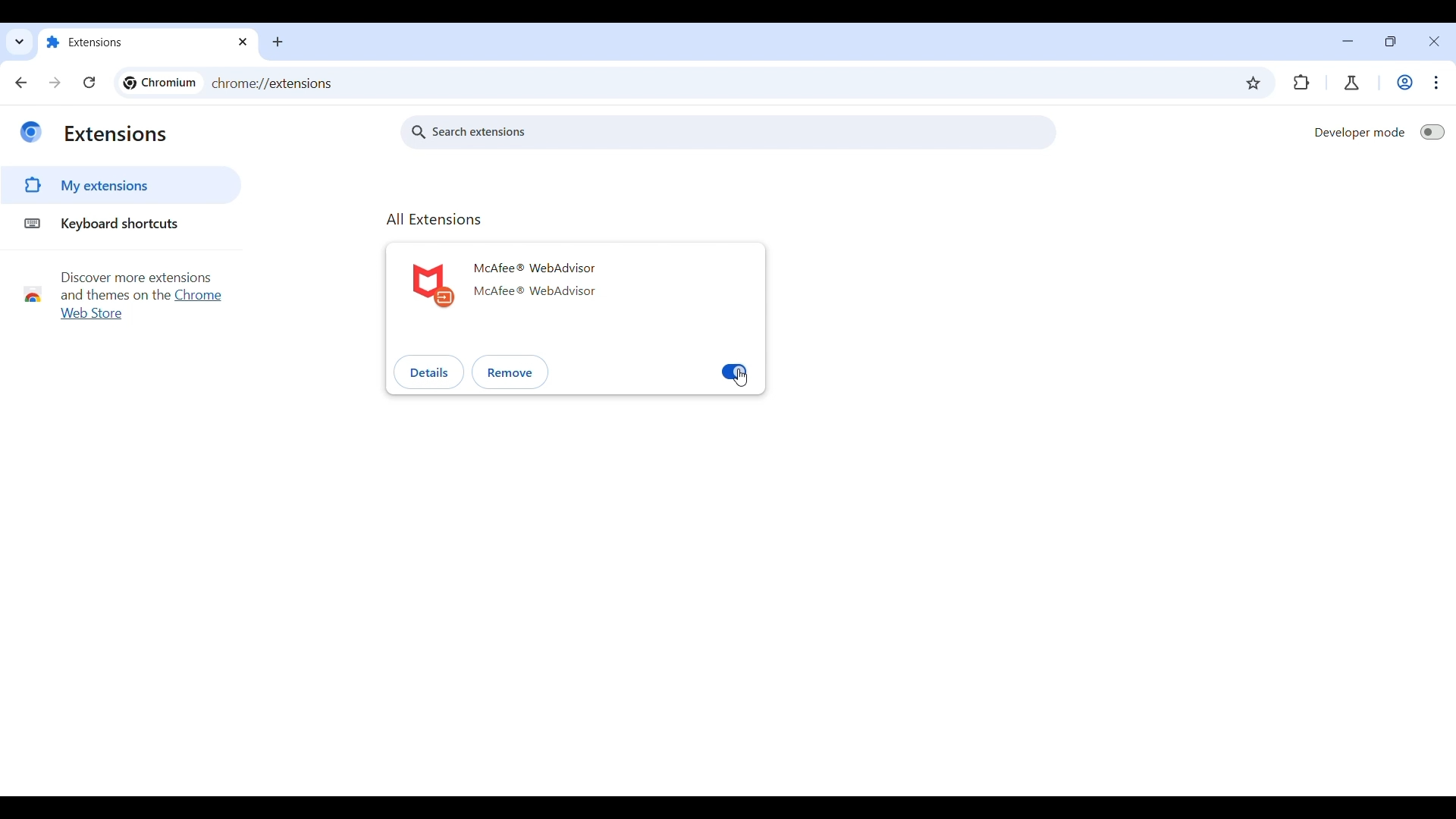  What do you see at coordinates (30, 132) in the screenshot?
I see `Logo of current site` at bounding box center [30, 132].